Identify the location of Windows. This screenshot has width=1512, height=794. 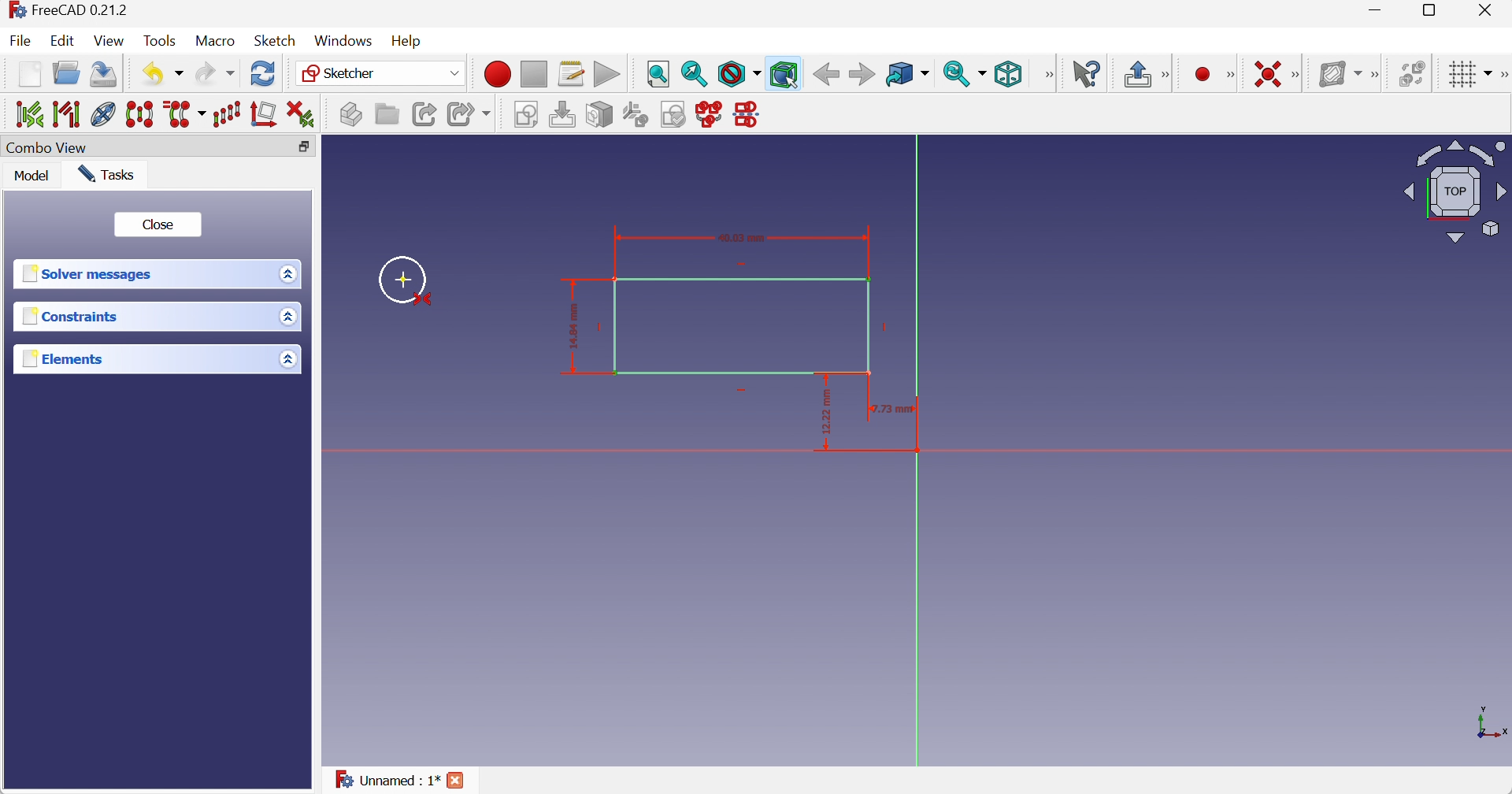
(344, 41).